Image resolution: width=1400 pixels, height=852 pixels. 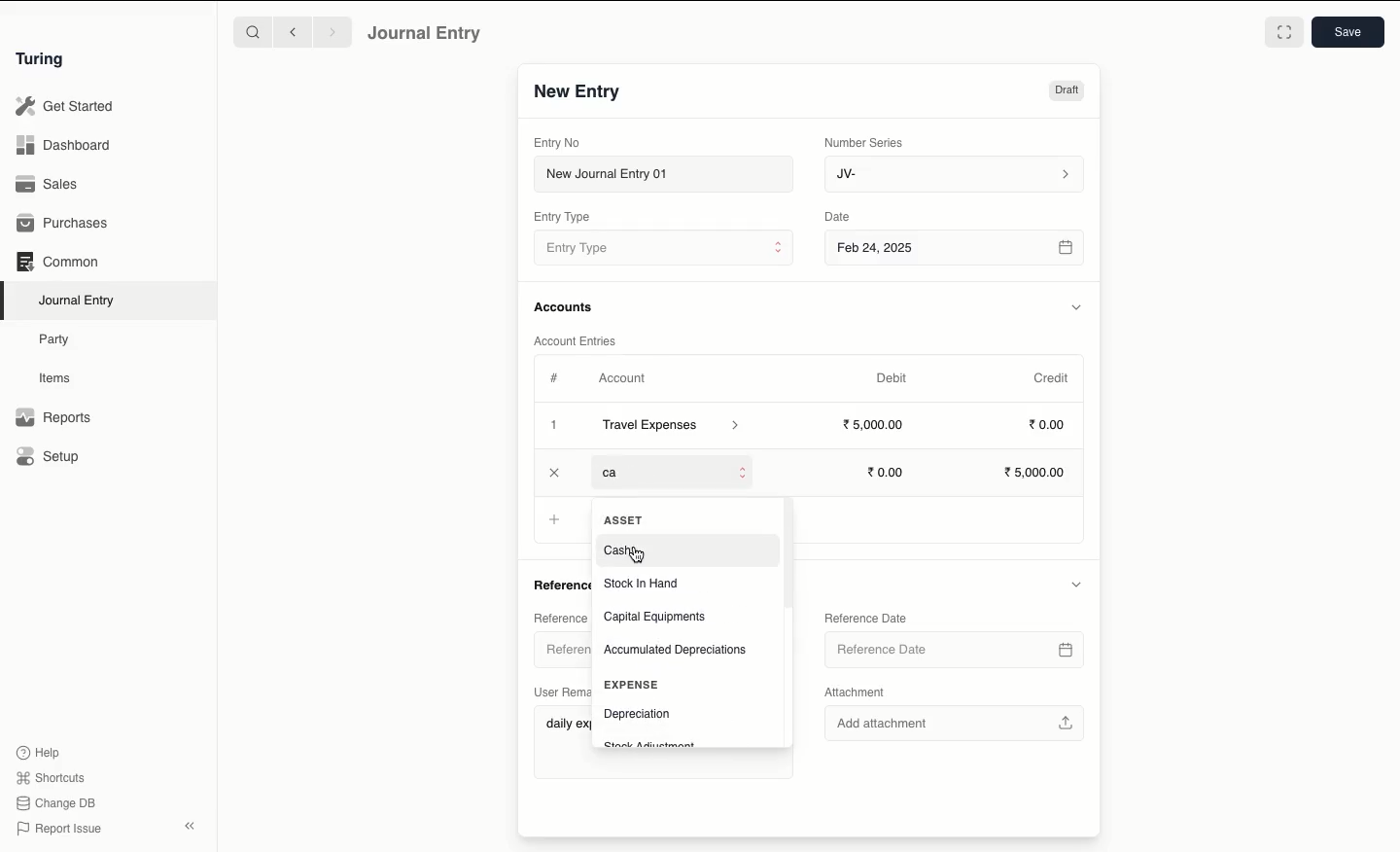 What do you see at coordinates (1048, 423) in the screenshot?
I see `0.00` at bounding box center [1048, 423].